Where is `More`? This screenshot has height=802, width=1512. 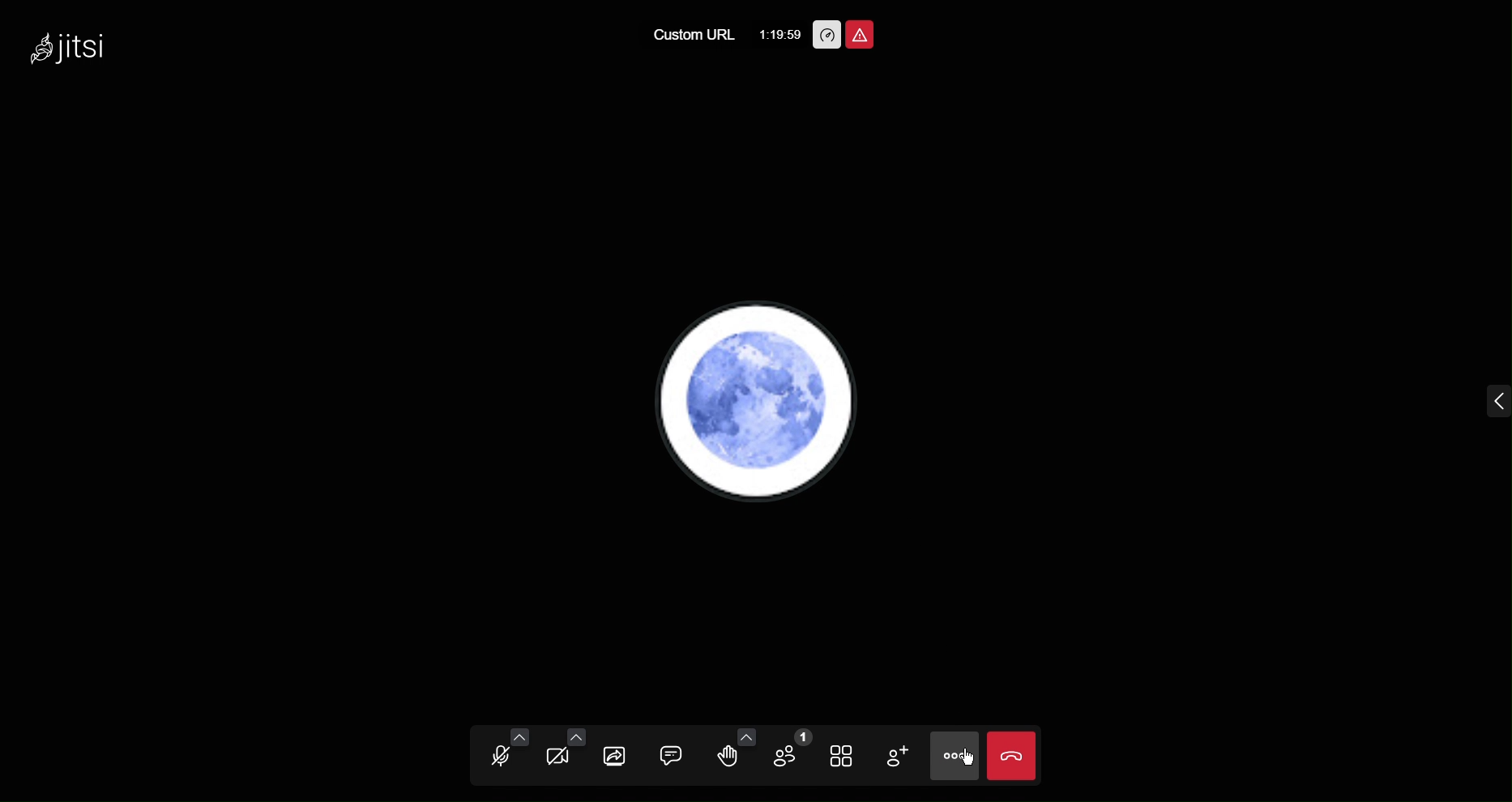
More is located at coordinates (958, 753).